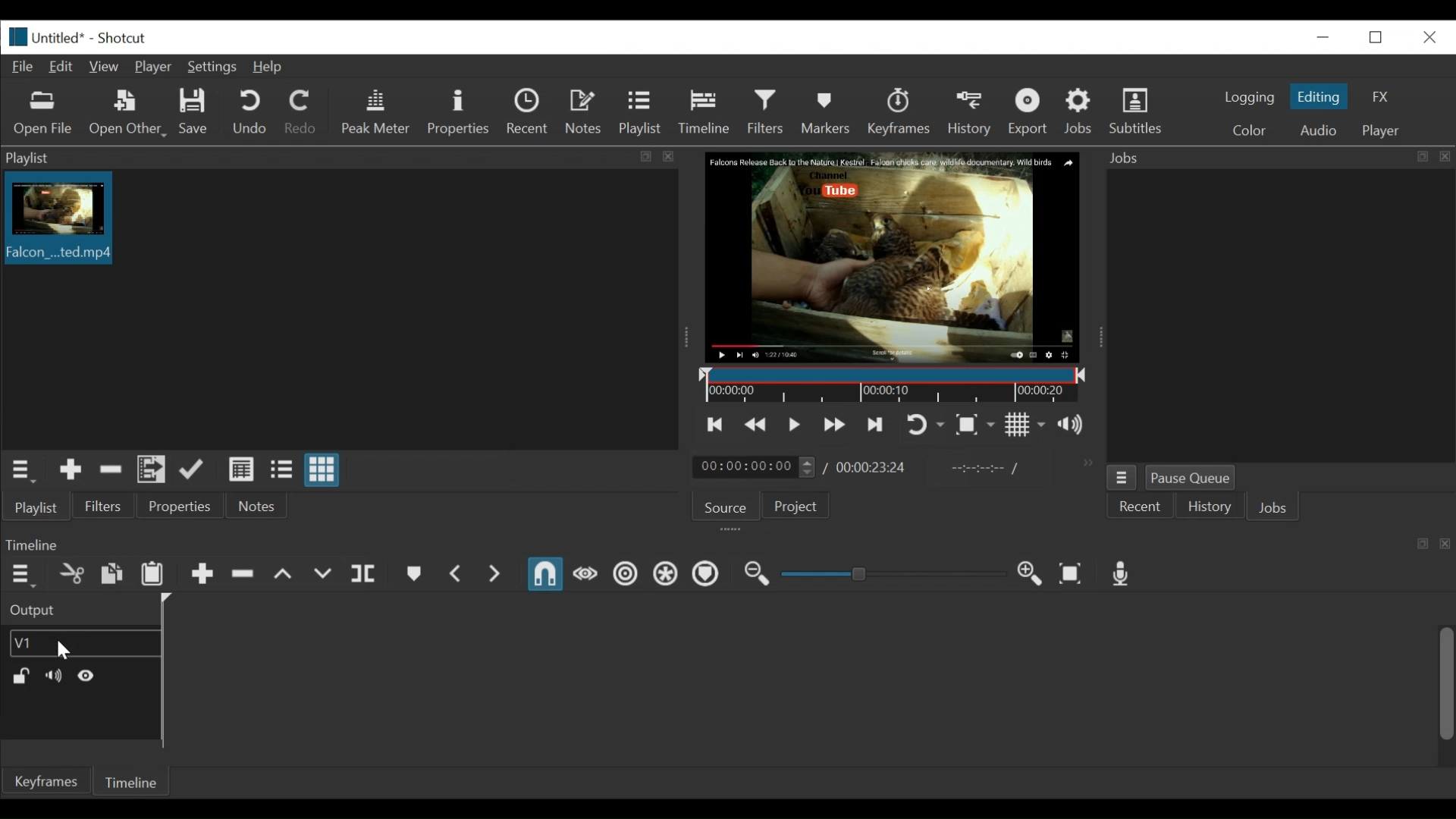 The height and width of the screenshot is (819, 1456). What do you see at coordinates (626, 575) in the screenshot?
I see `Ripple` at bounding box center [626, 575].